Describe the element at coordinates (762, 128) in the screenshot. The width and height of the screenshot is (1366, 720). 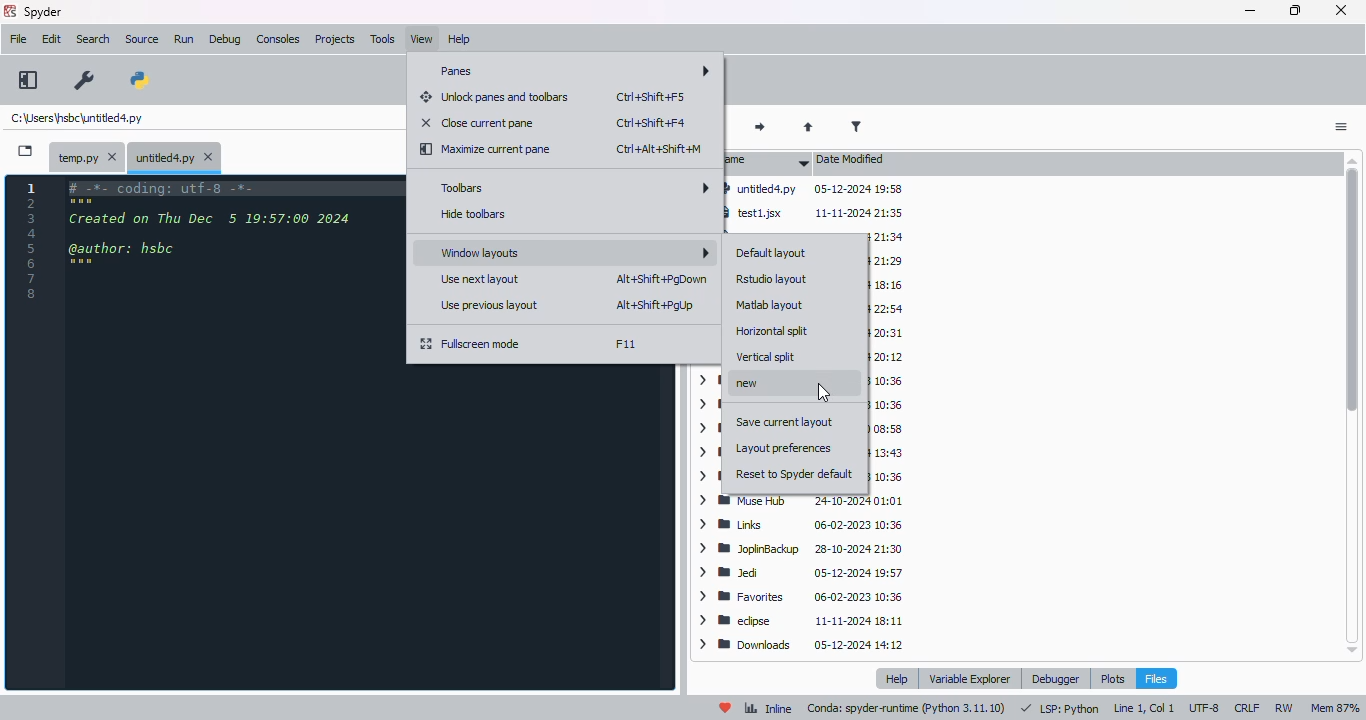
I see `next` at that location.